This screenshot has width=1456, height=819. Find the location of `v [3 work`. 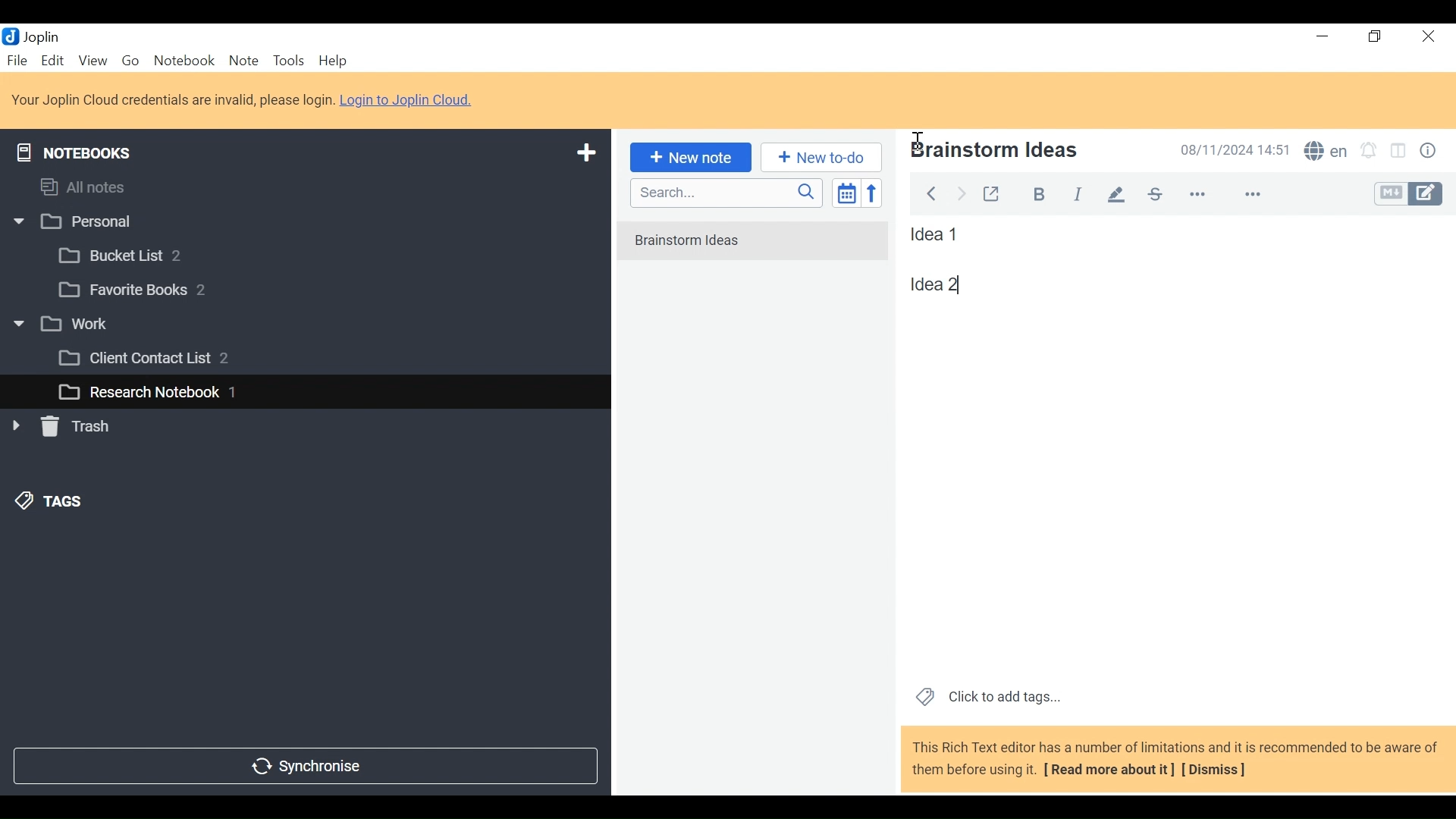

v [3 work is located at coordinates (78, 325).